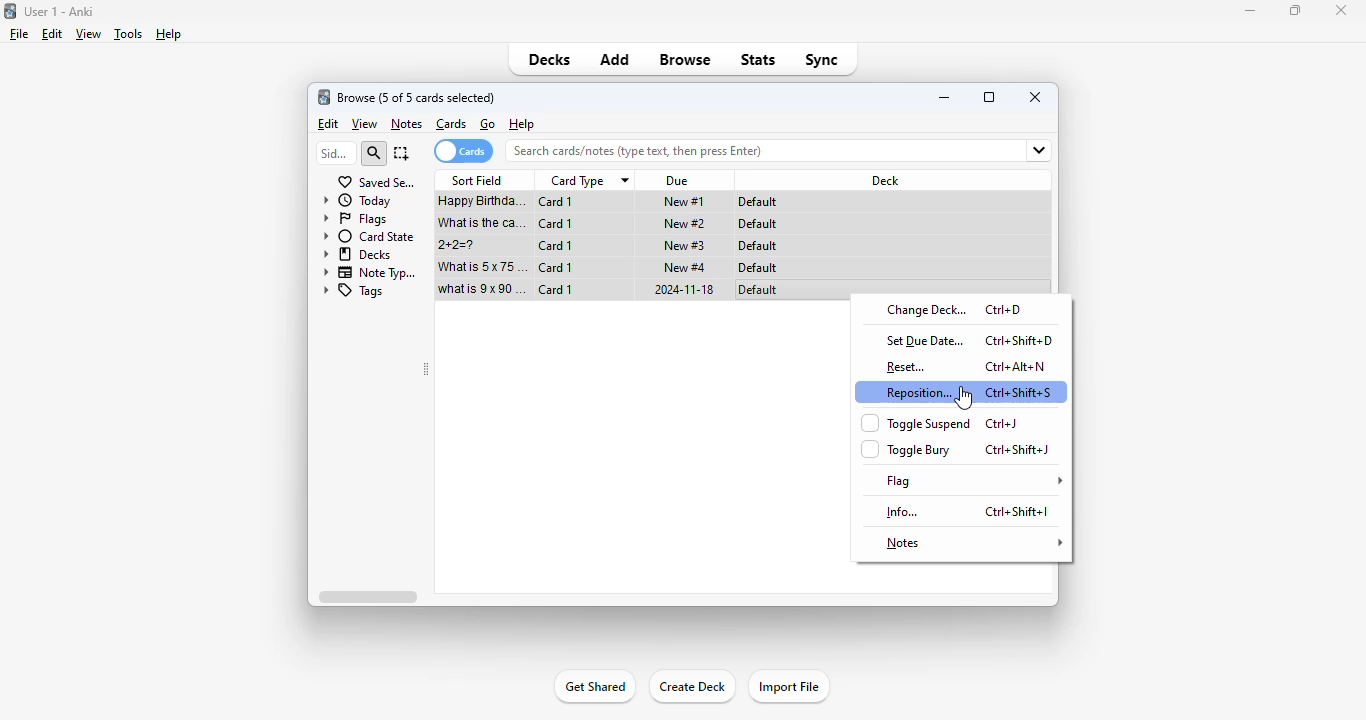 This screenshot has width=1366, height=720. What do you see at coordinates (1294, 11) in the screenshot?
I see `maximize` at bounding box center [1294, 11].